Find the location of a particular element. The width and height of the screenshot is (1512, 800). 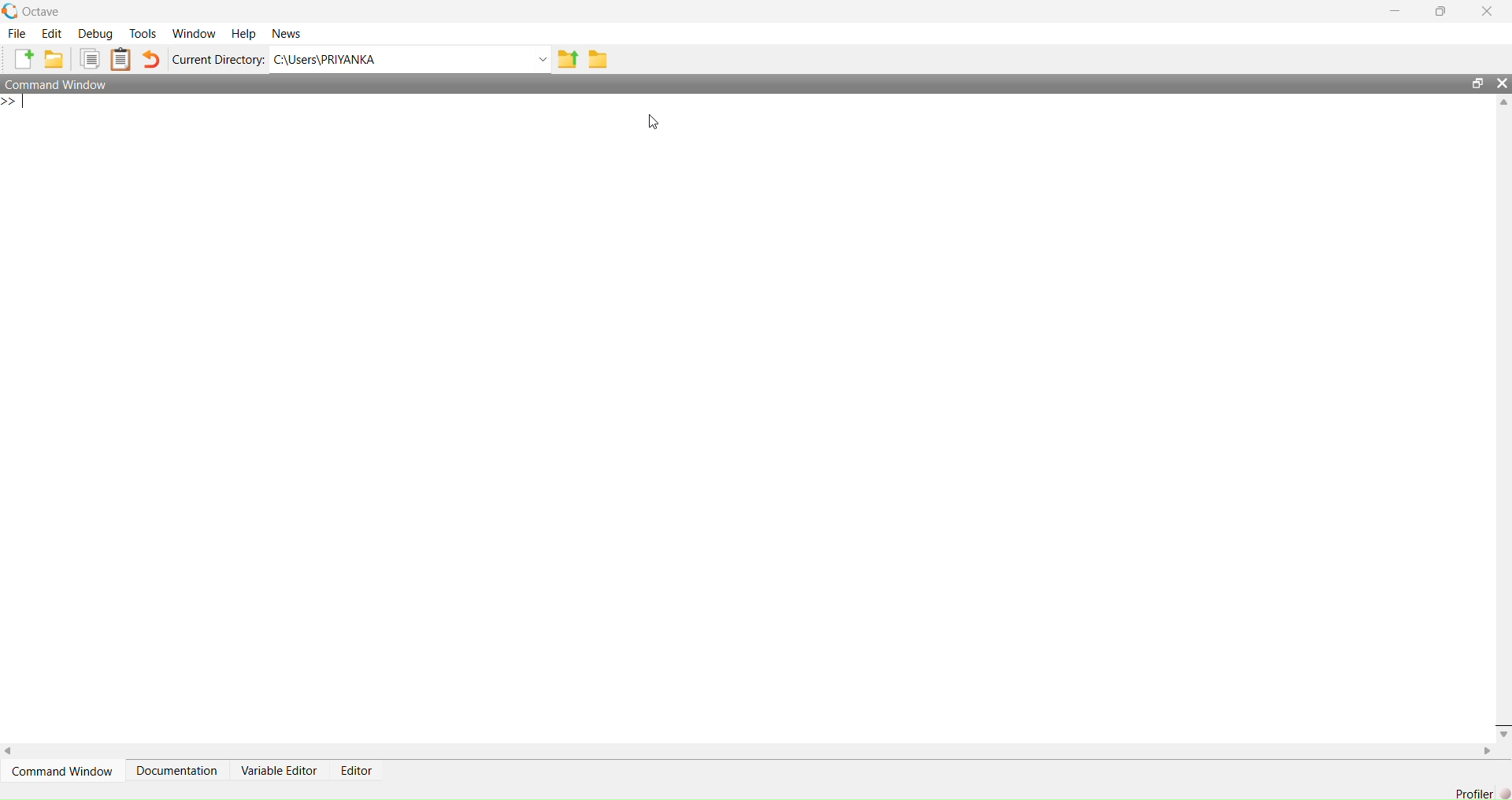

Scroll up  is located at coordinates (1503, 105).